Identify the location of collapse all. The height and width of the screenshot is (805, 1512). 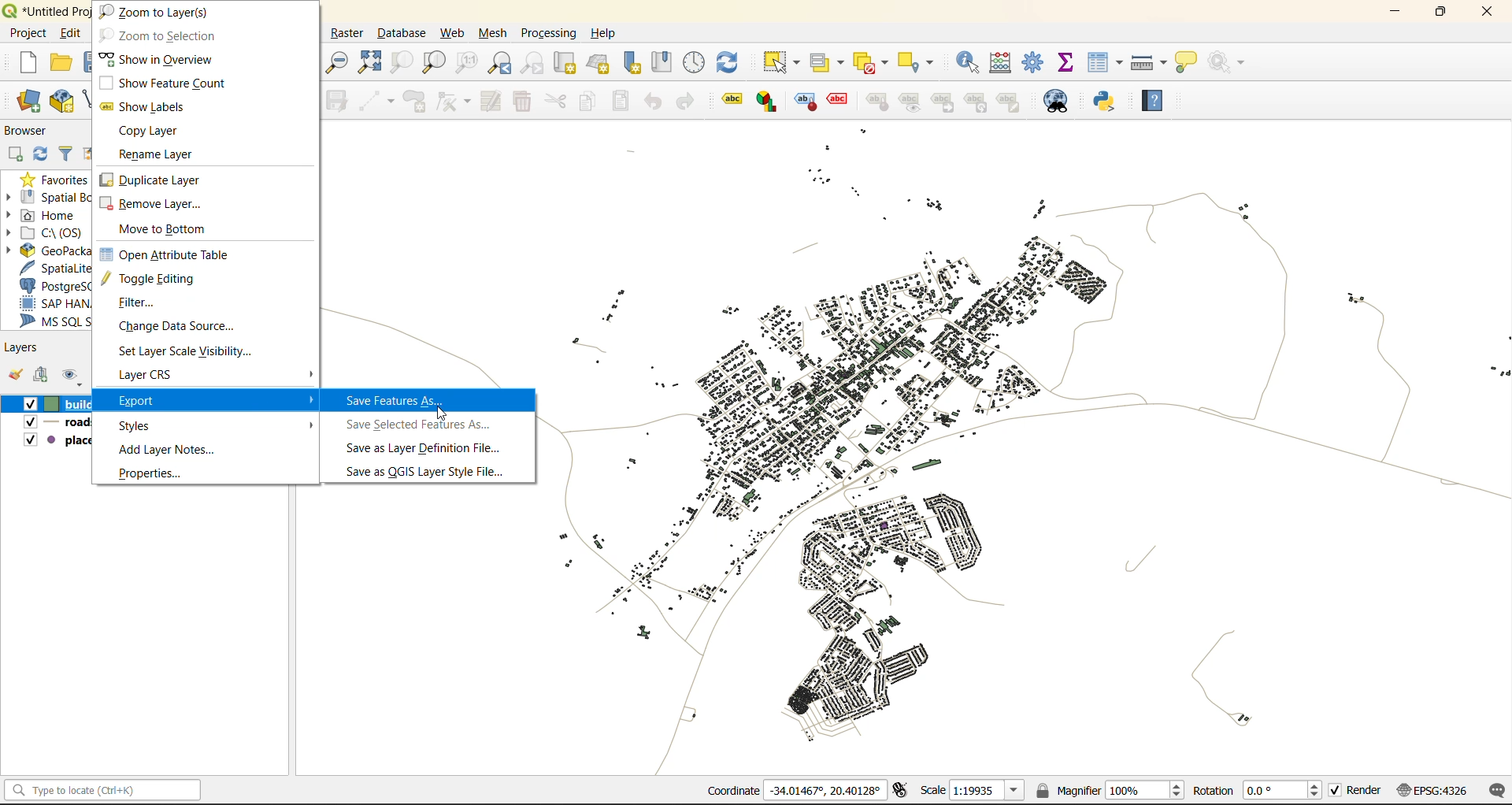
(91, 152).